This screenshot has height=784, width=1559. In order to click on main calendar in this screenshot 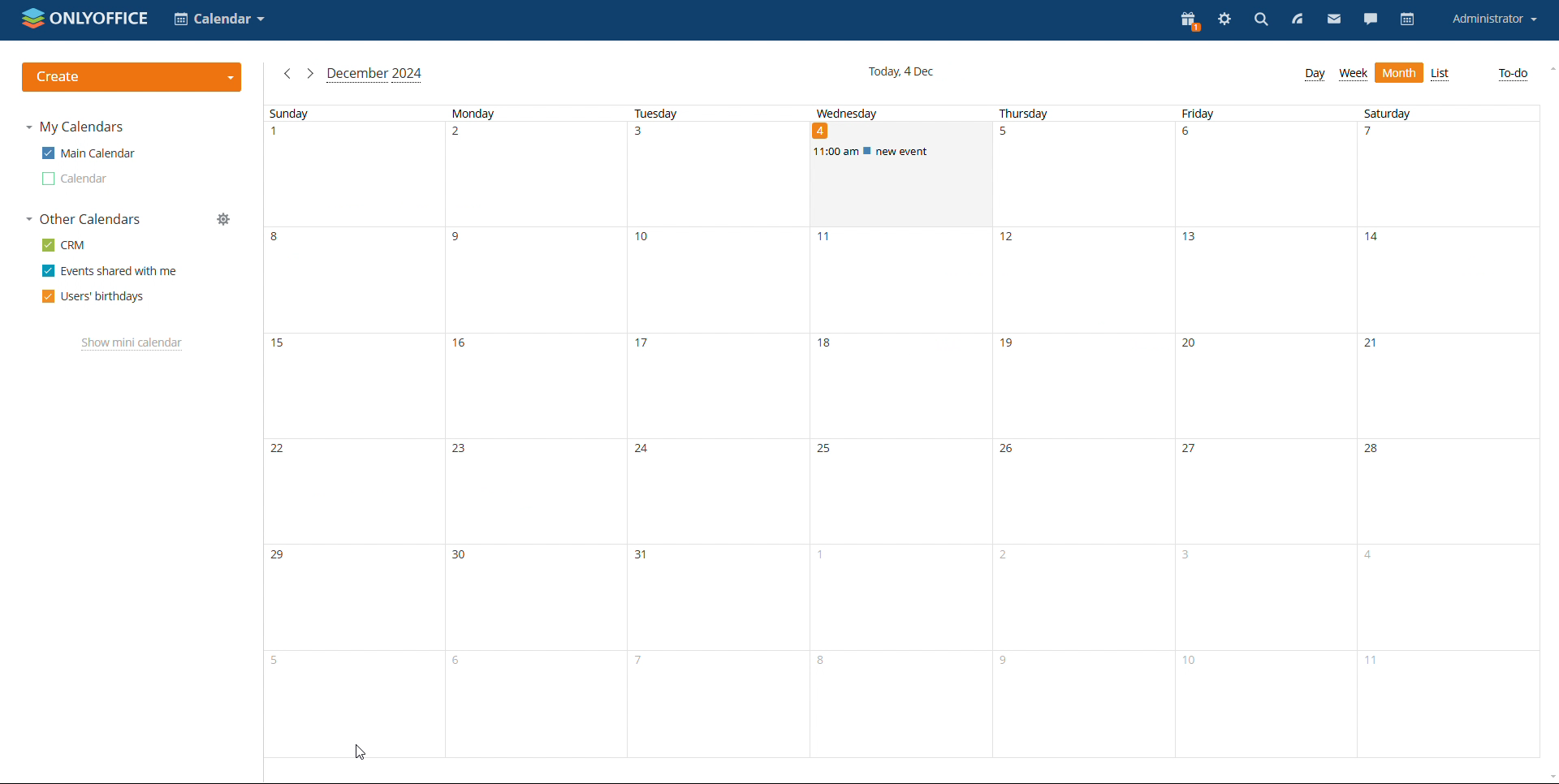, I will do `click(87, 153)`.